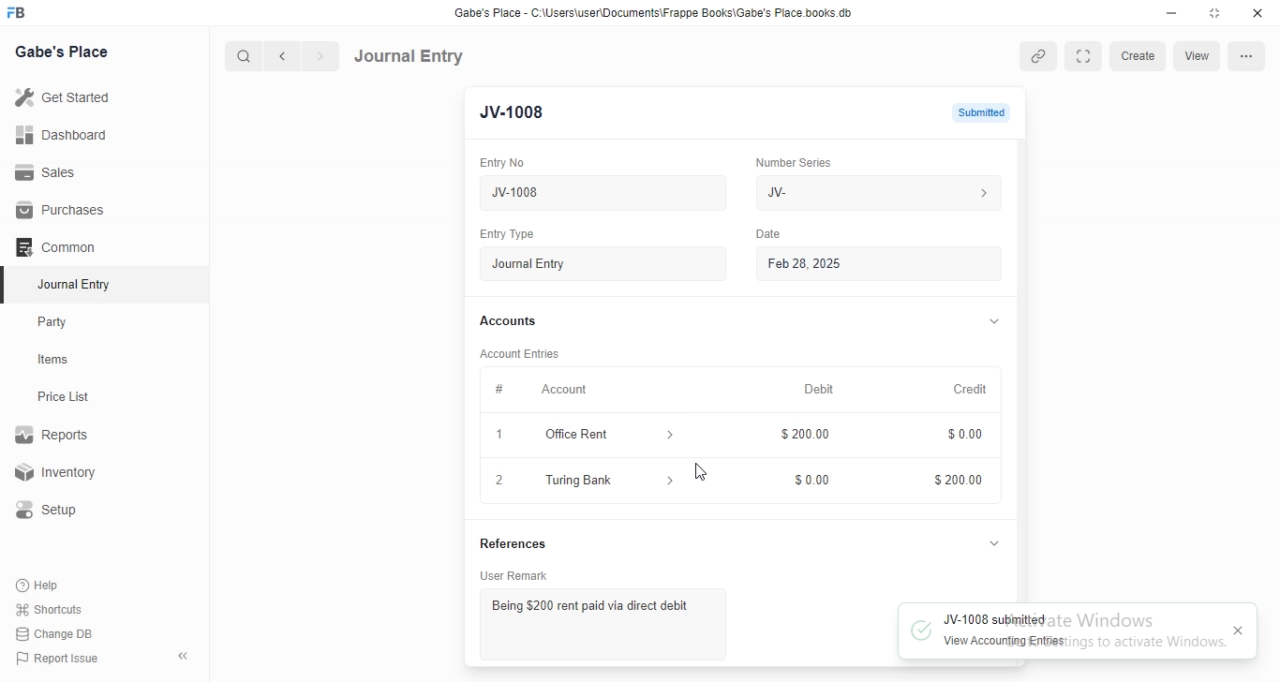  I want to click on $200.00, so click(955, 480).